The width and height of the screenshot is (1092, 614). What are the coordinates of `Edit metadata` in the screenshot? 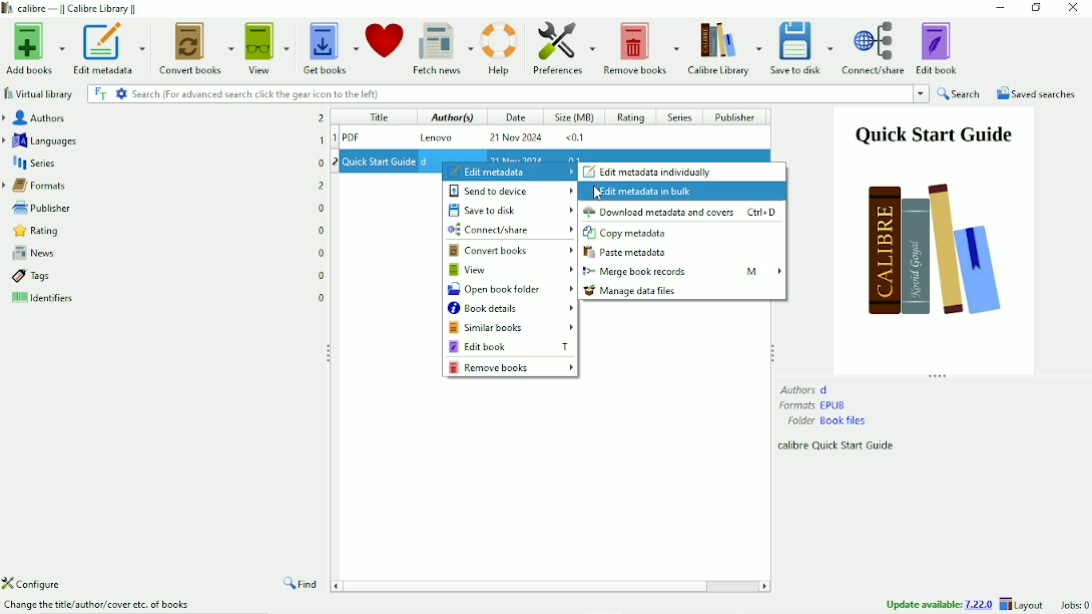 It's located at (107, 49).